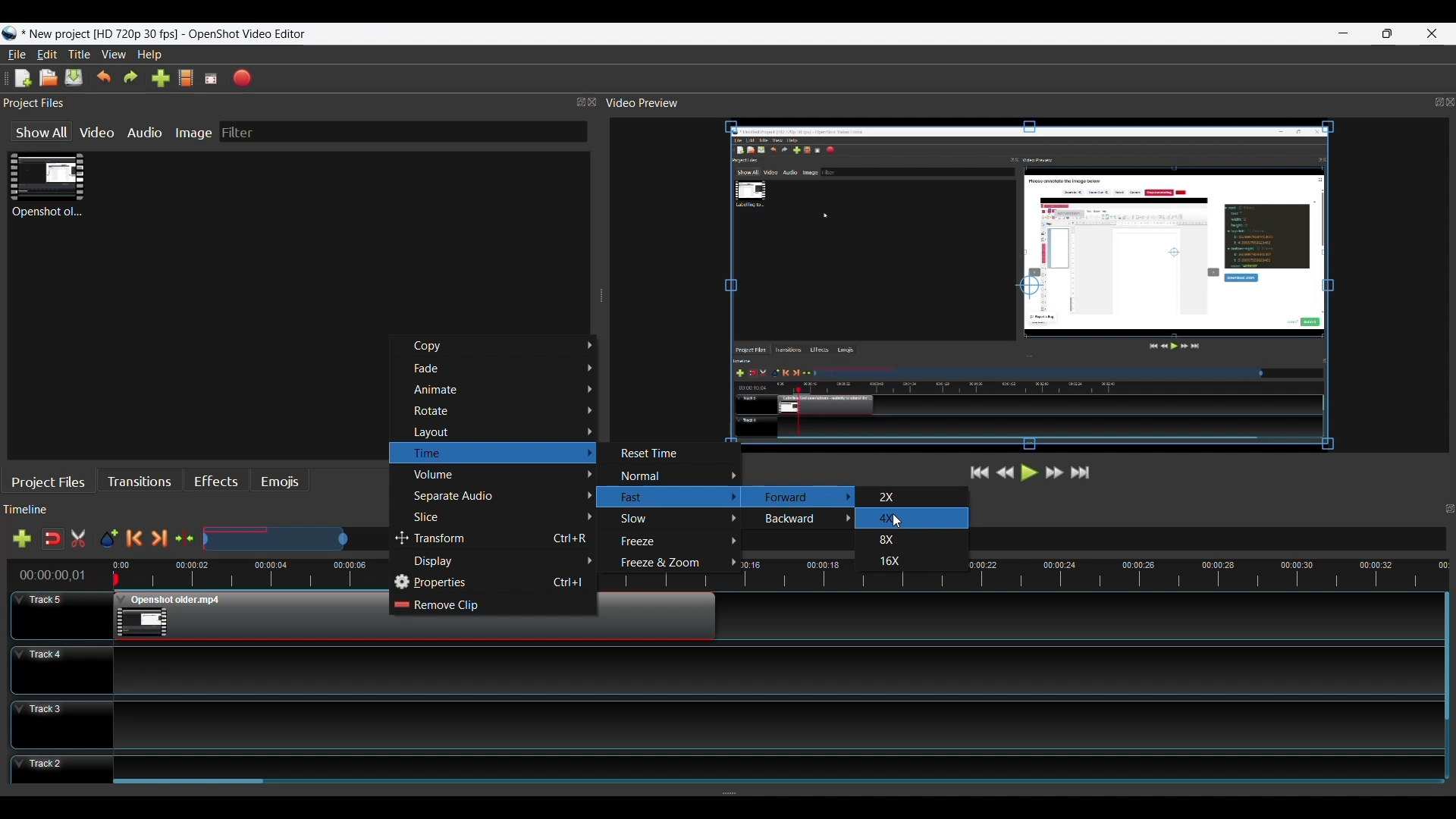 Image resolution: width=1456 pixels, height=819 pixels. What do you see at coordinates (216, 482) in the screenshot?
I see `Effects` at bounding box center [216, 482].